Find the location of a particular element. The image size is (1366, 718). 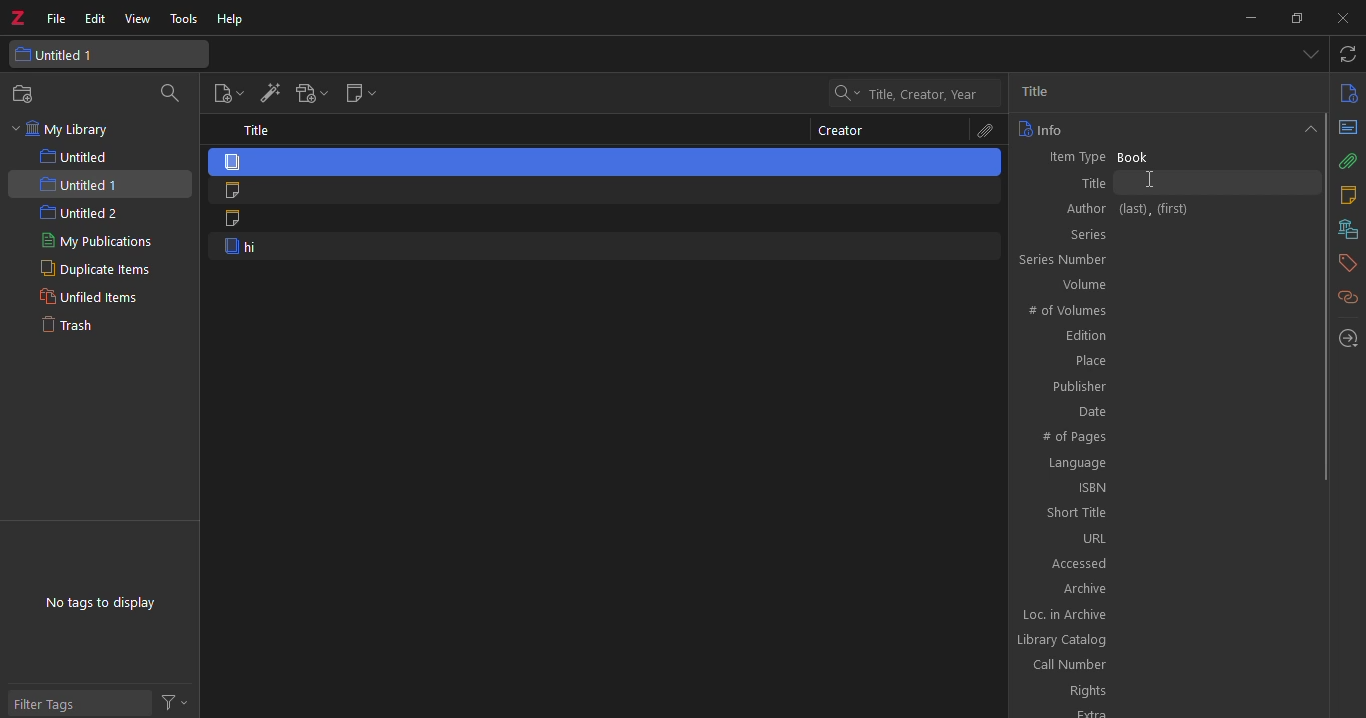

add item is located at coordinates (268, 95).